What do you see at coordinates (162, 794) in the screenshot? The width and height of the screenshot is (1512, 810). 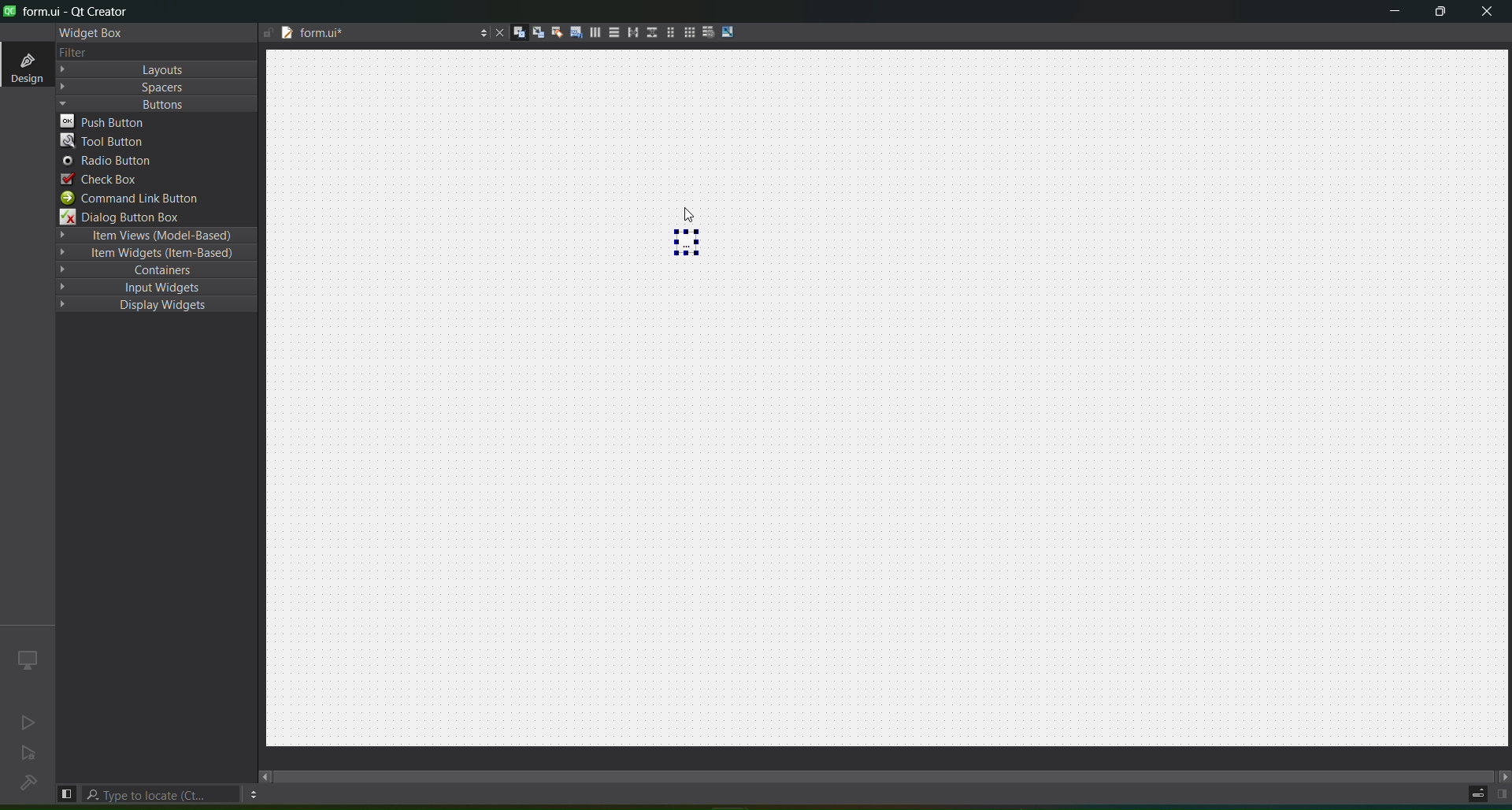 I see `type to locate` at bounding box center [162, 794].